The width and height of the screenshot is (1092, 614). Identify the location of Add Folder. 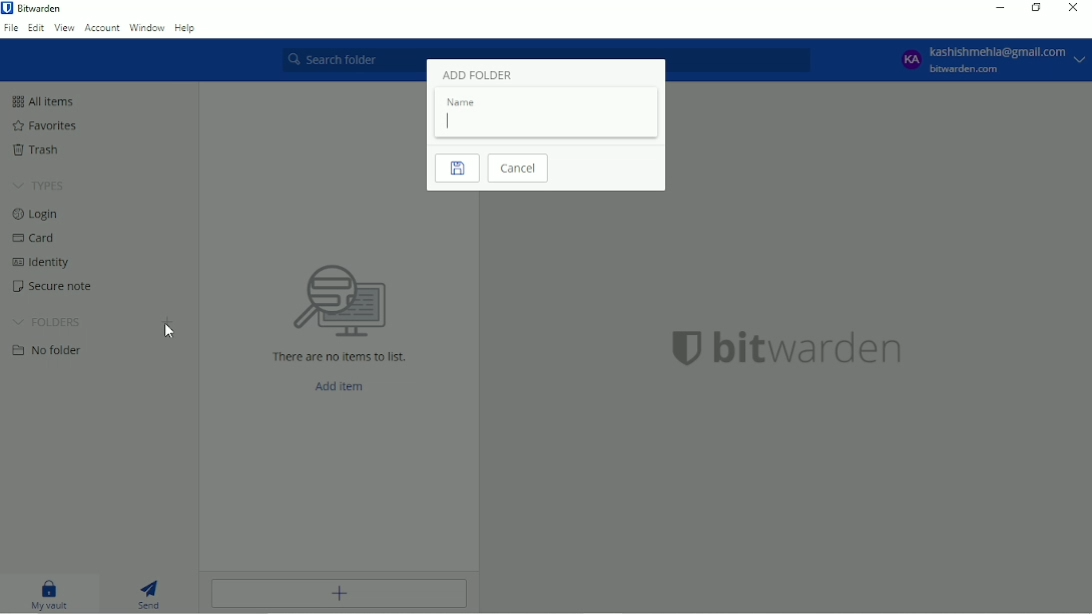
(476, 75).